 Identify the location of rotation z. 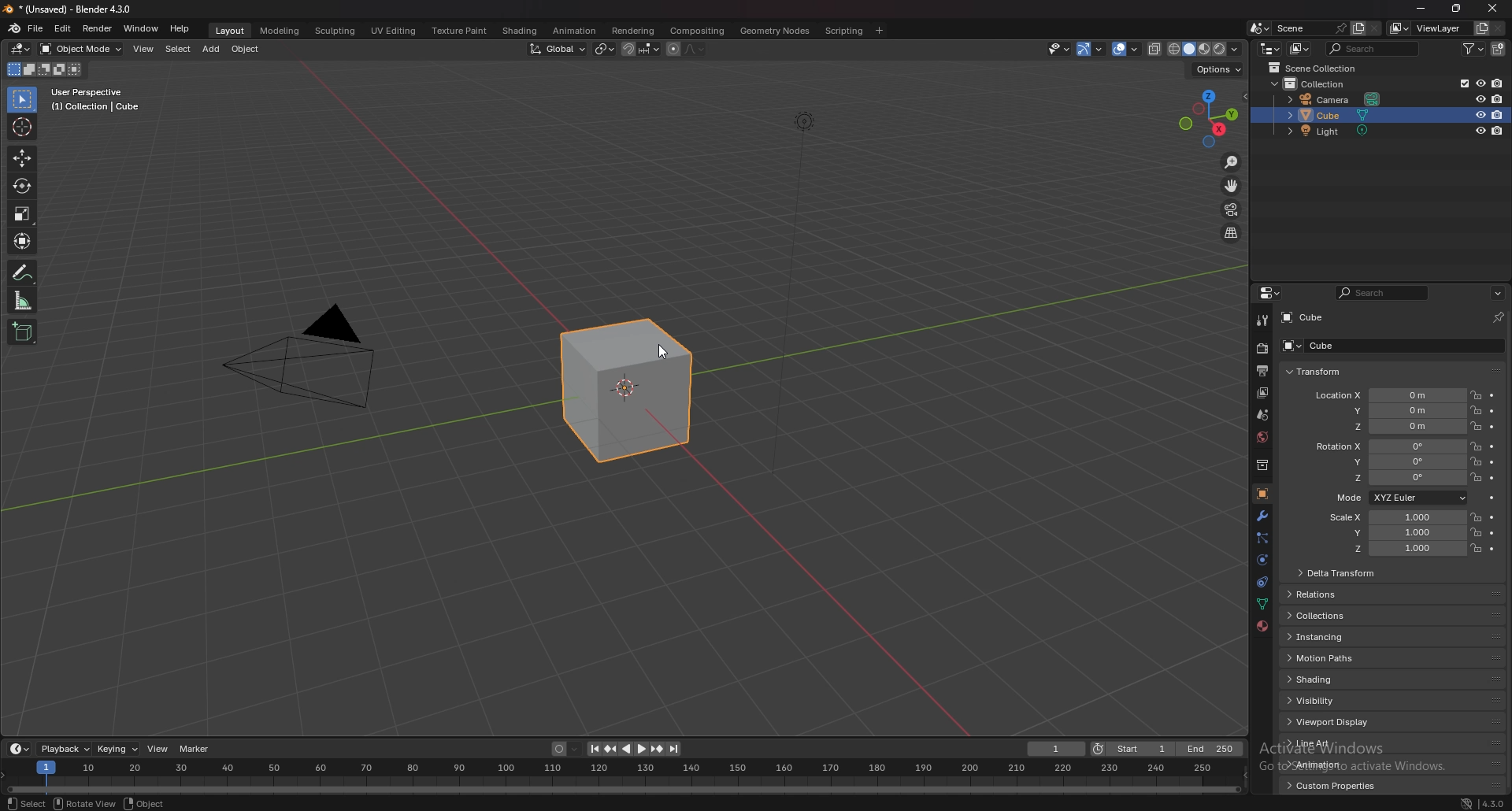
(1395, 479).